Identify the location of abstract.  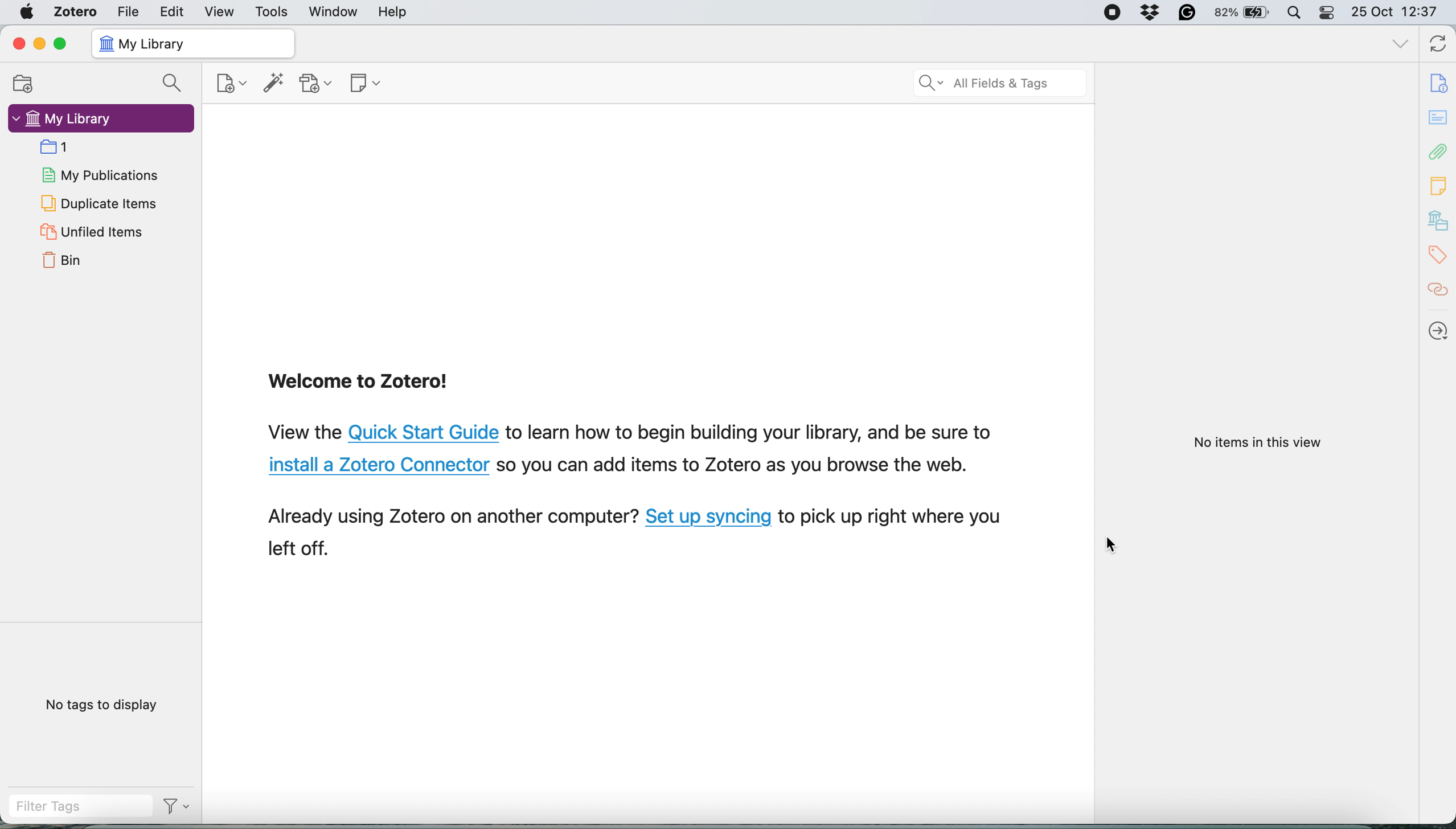
(1439, 117).